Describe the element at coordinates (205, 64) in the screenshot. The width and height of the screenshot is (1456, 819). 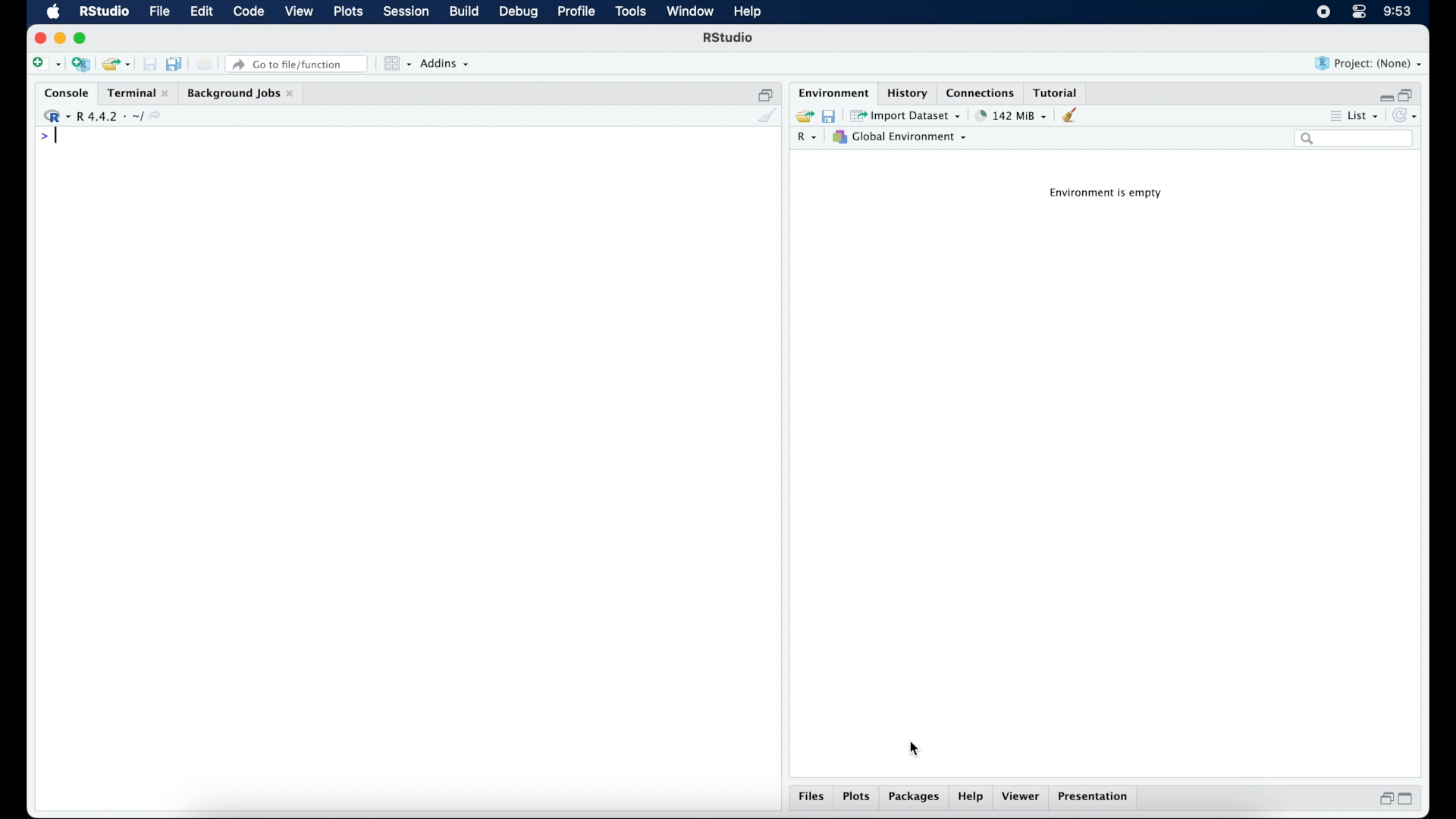
I see `print` at that location.